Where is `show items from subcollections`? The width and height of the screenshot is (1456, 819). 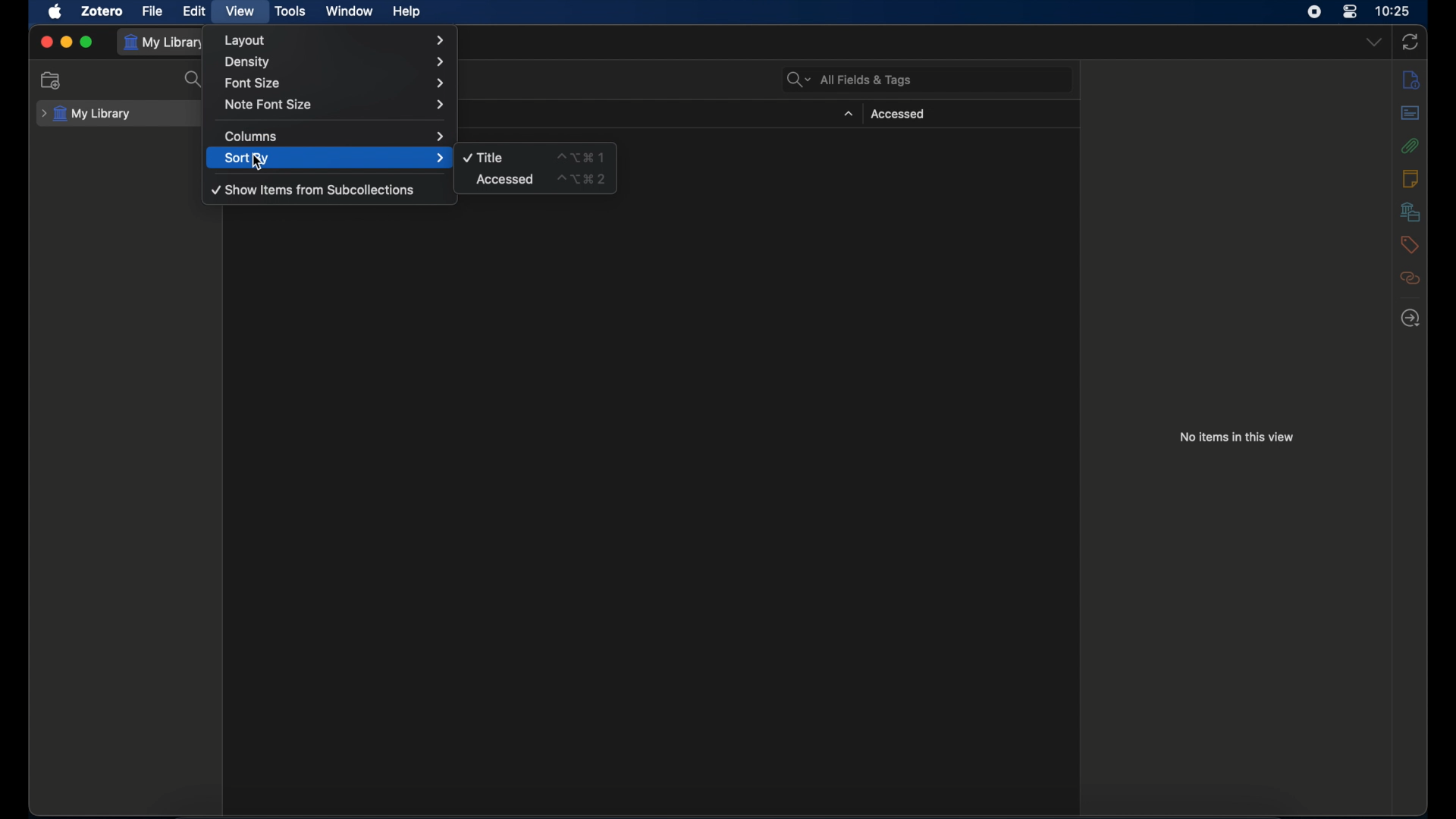 show items from subcollections is located at coordinates (313, 190).